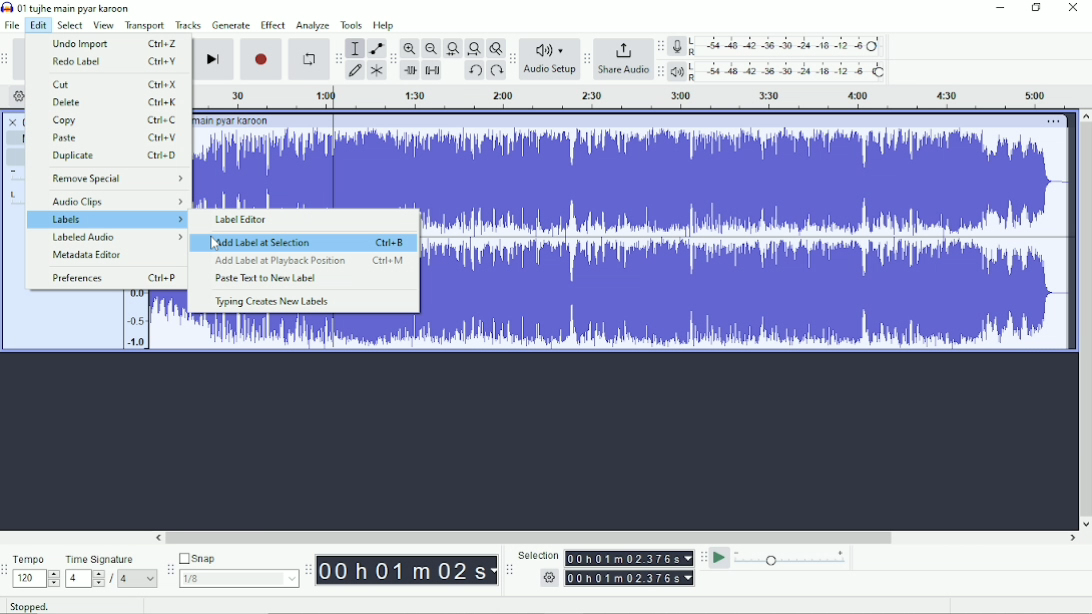 Image resolution: width=1092 pixels, height=614 pixels. What do you see at coordinates (474, 70) in the screenshot?
I see `Undo` at bounding box center [474, 70].